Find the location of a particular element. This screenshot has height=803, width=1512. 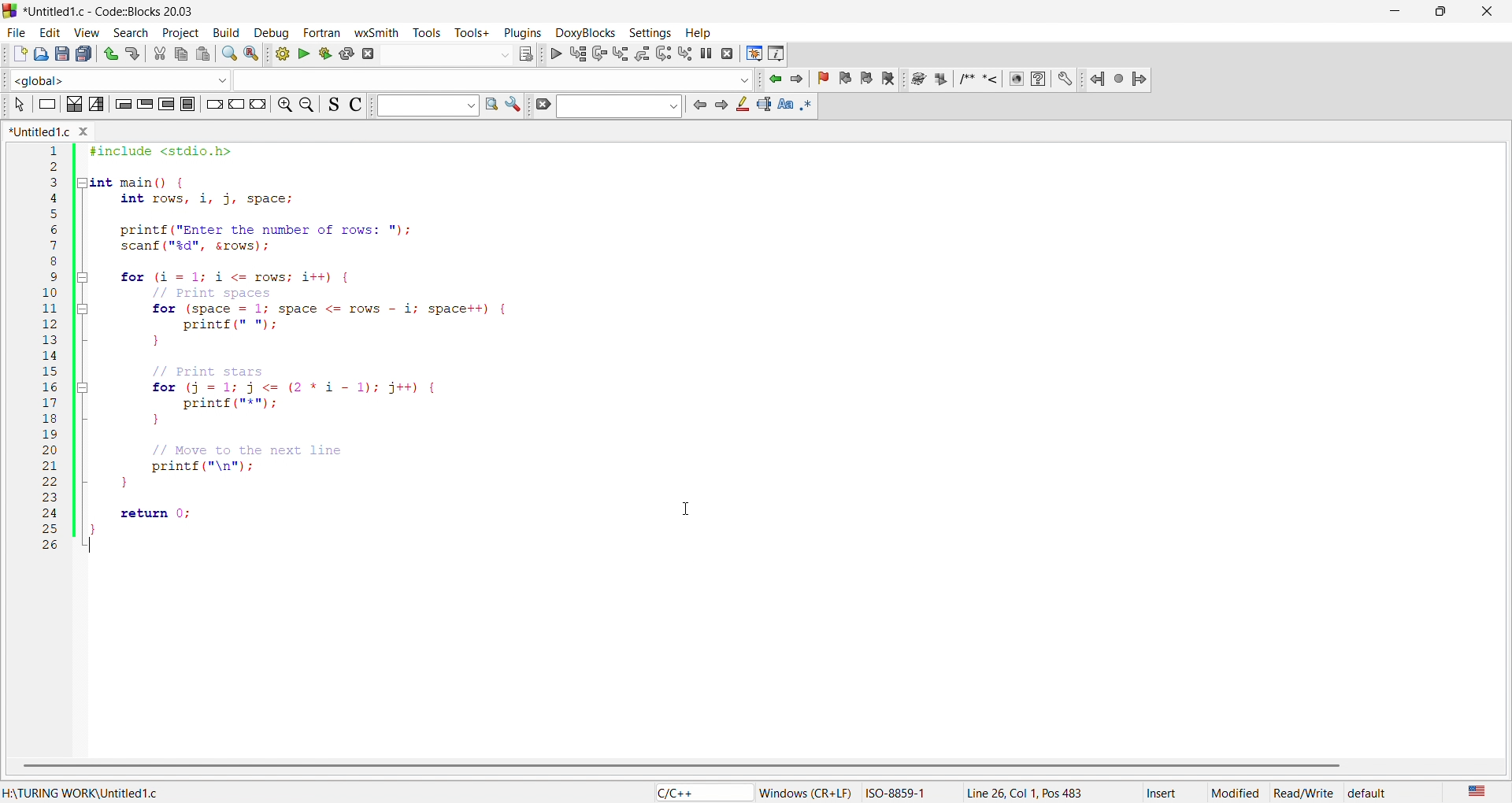

maximize/resize is located at coordinates (1446, 9).